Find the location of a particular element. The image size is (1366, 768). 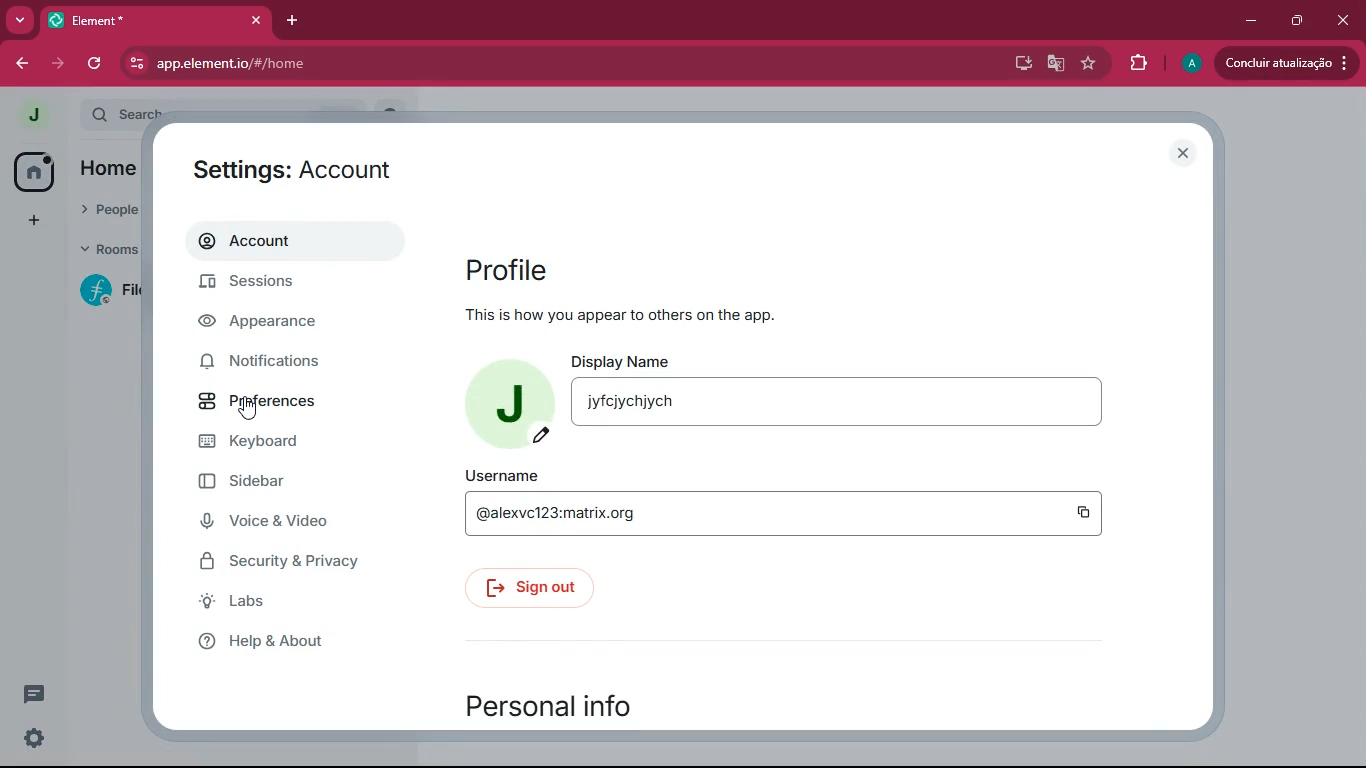

sidebar is located at coordinates (271, 484).